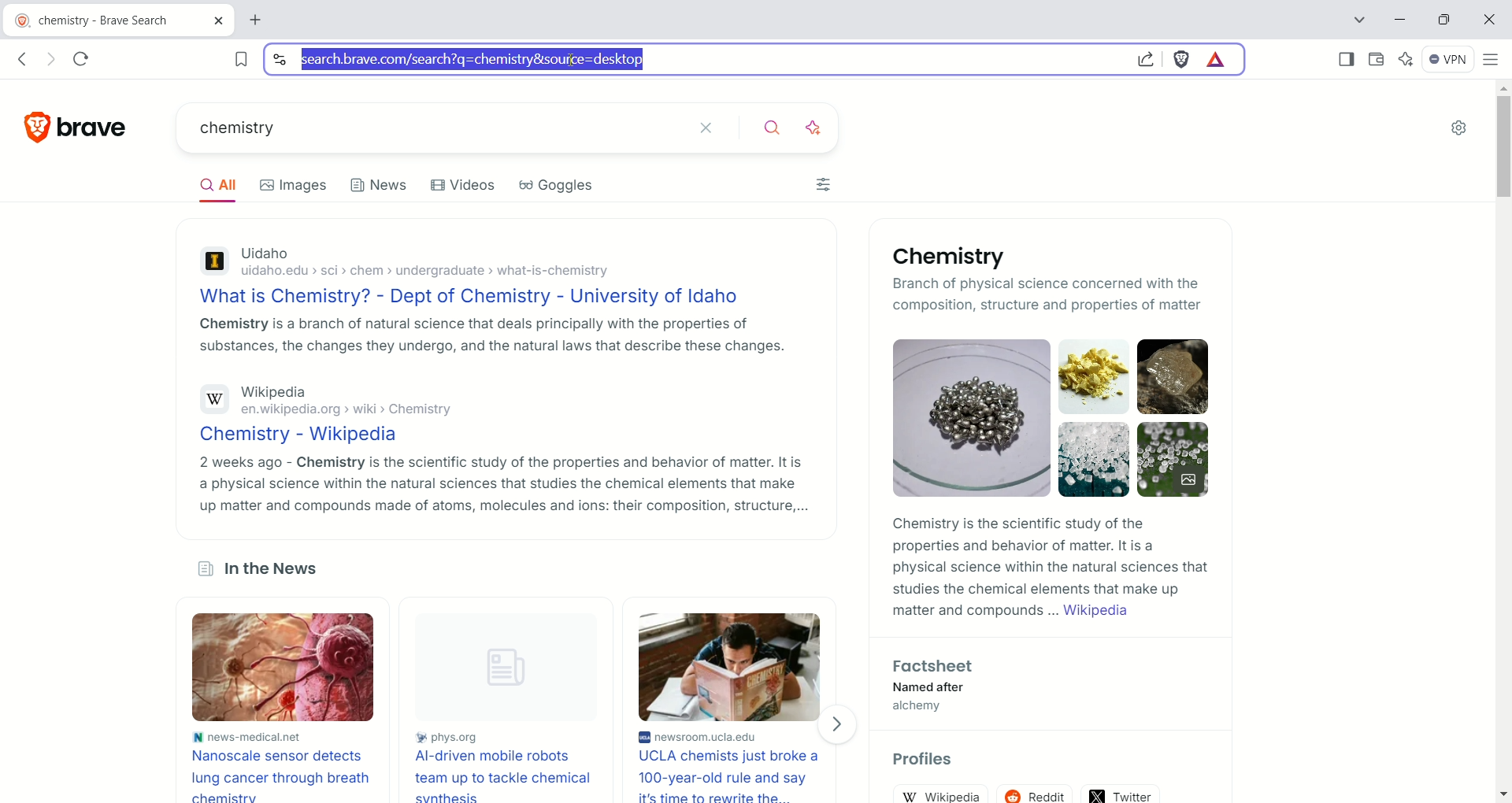 This screenshot has height=803, width=1512. I want to click on AI-driven mobile robots team up to tackle chemical synthesis, so click(511, 776).